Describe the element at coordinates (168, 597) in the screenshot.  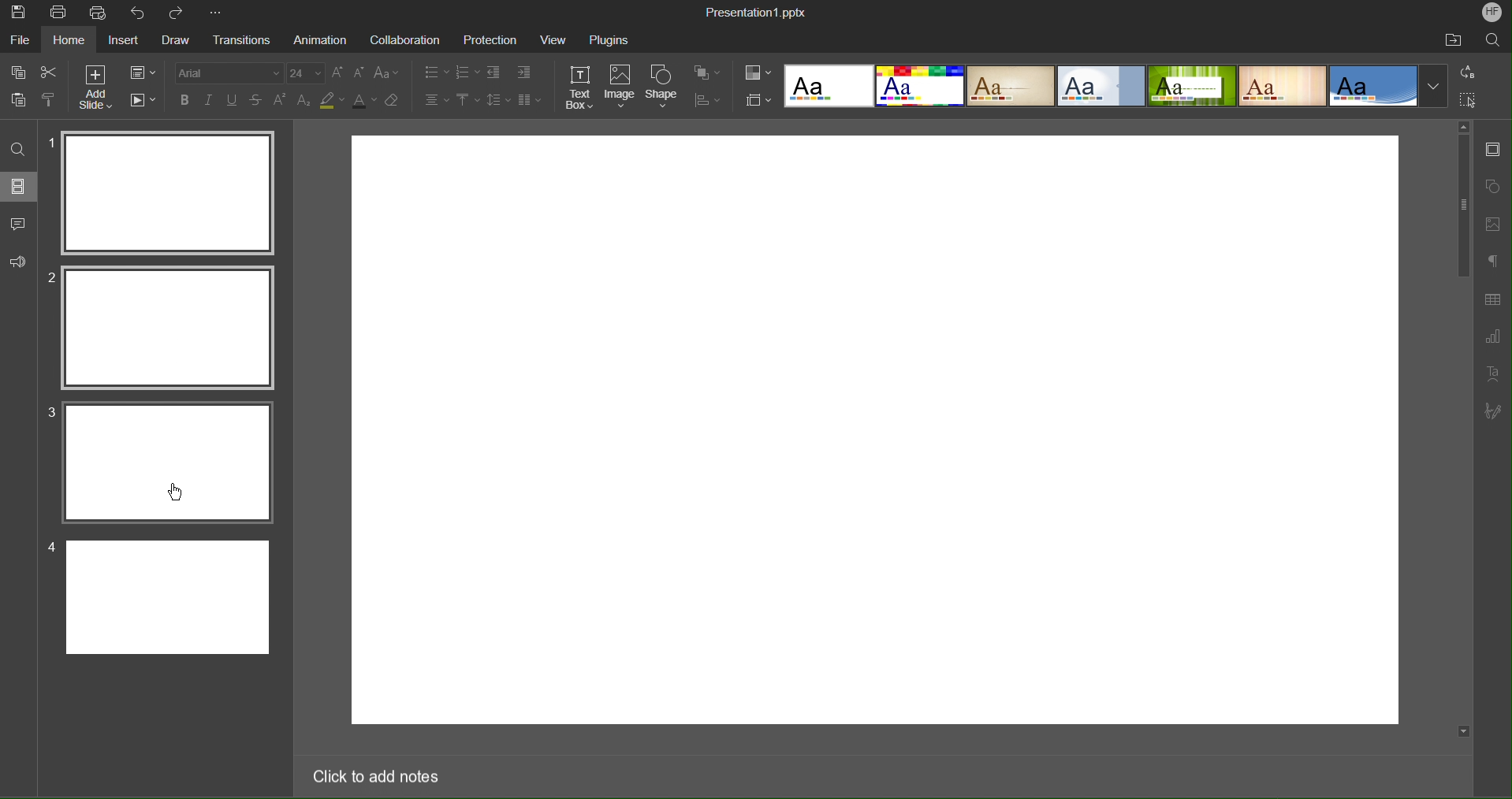
I see `Slide 4` at that location.